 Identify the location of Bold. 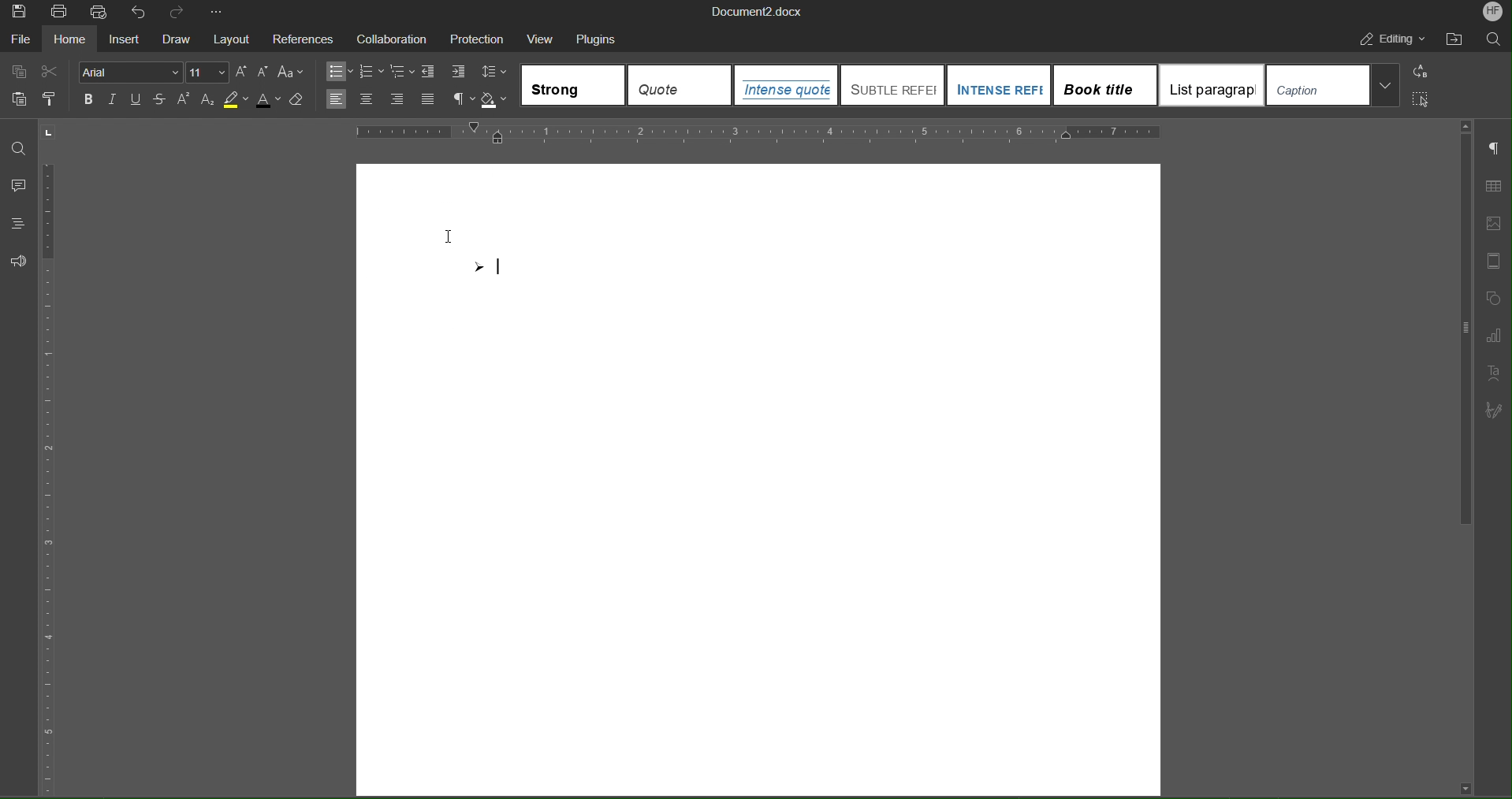
(88, 98).